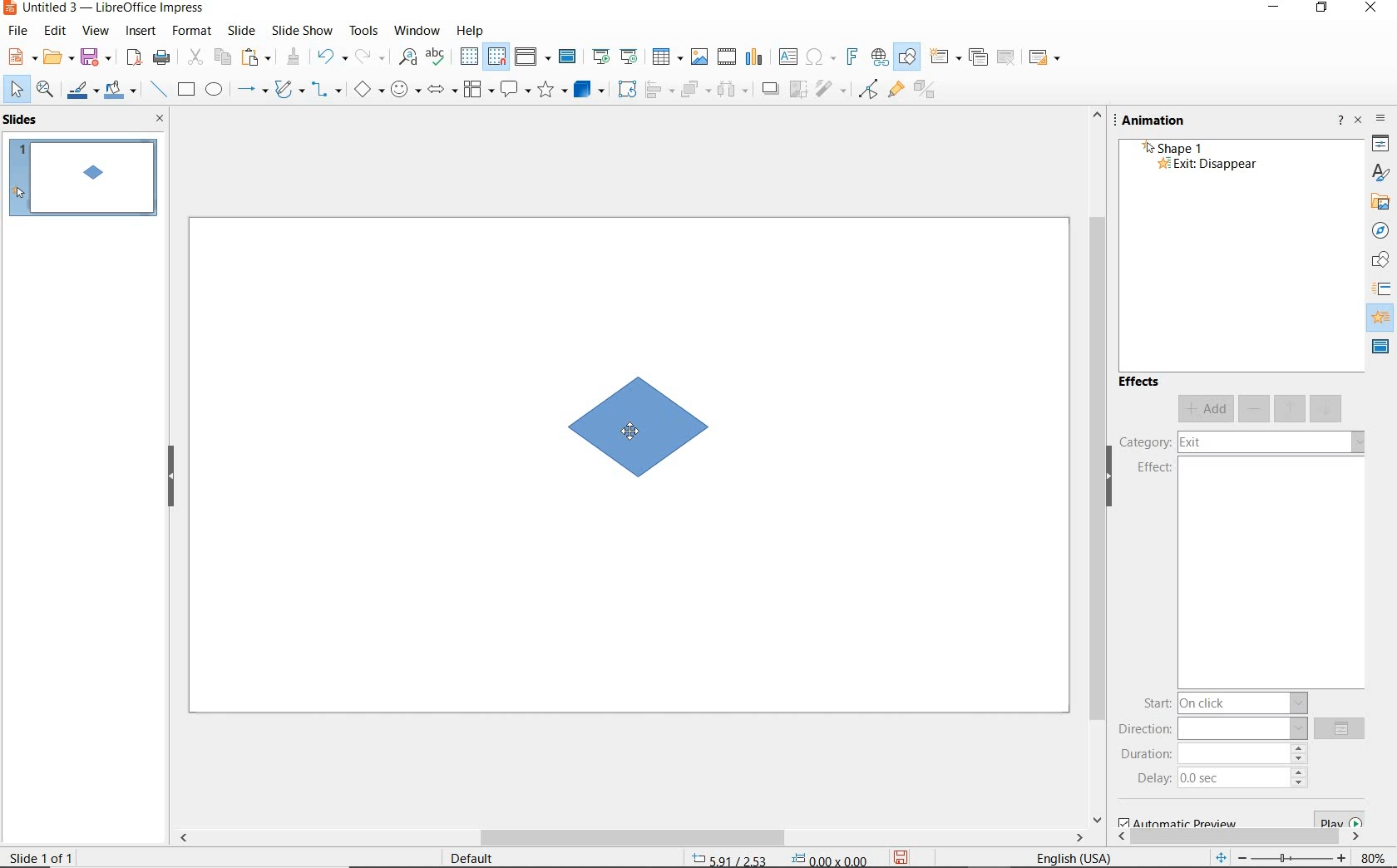  What do you see at coordinates (1380, 145) in the screenshot?
I see `properties` at bounding box center [1380, 145].